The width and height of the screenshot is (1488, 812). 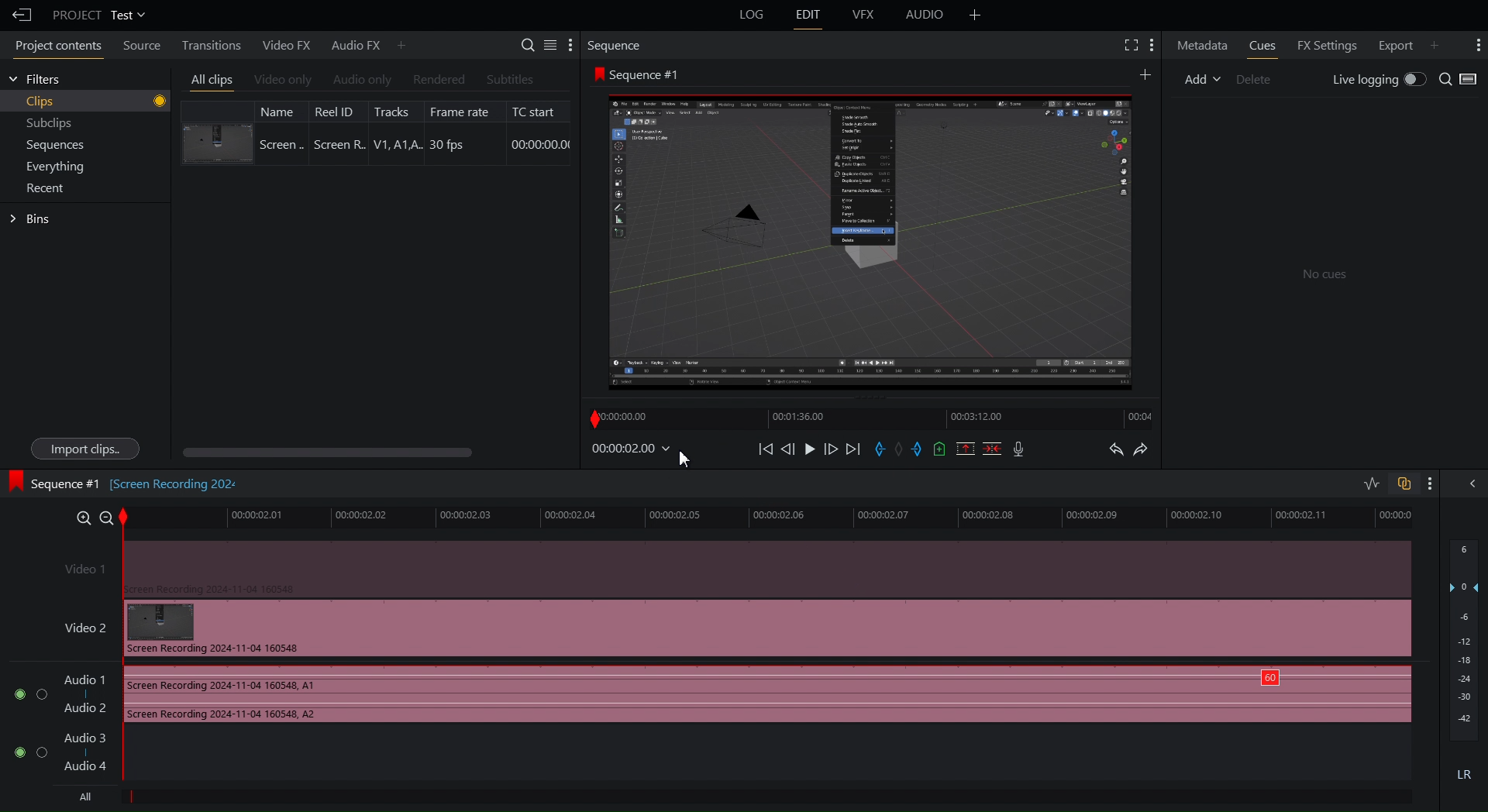 I want to click on Transitions, so click(x=207, y=44).